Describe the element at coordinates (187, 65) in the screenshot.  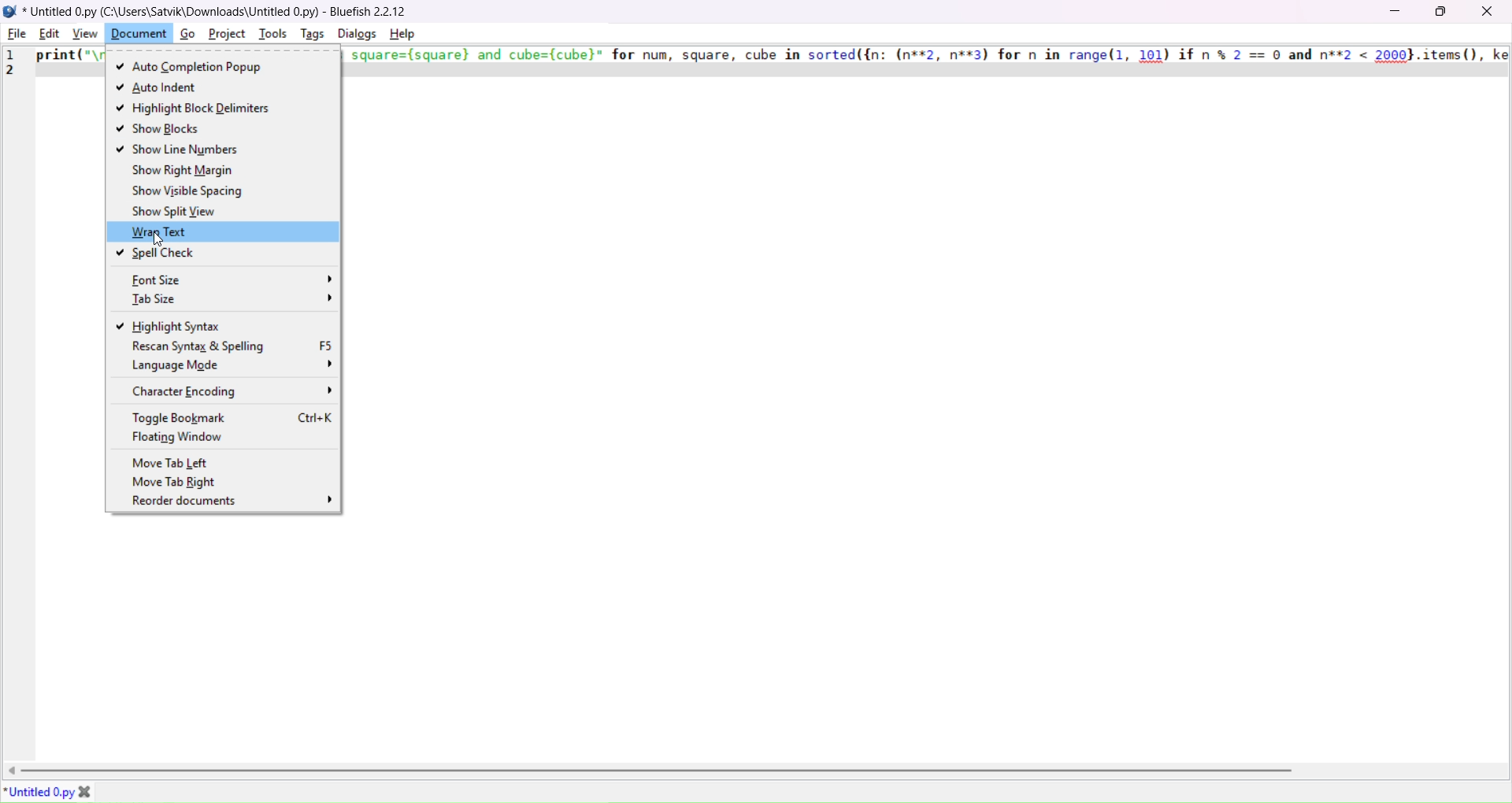
I see `auto completion popup` at that location.